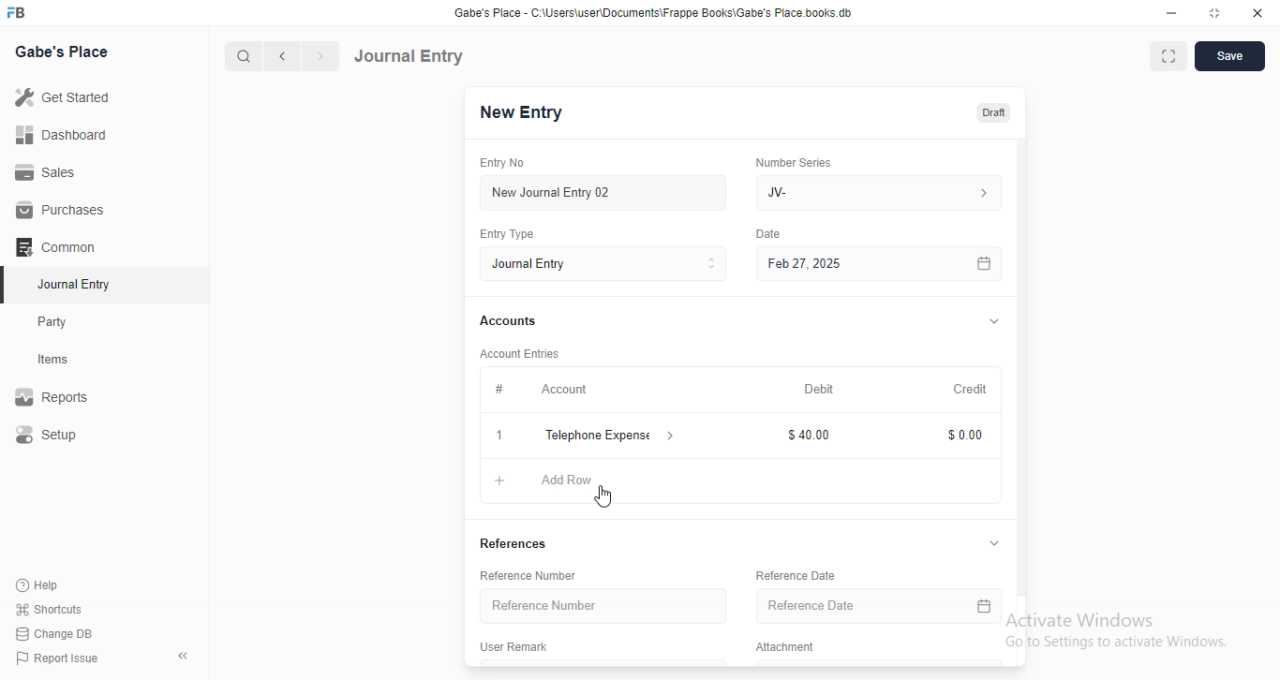 The width and height of the screenshot is (1280, 680). Describe the element at coordinates (659, 11) in the screenshot. I see `‘Gabe's Place - C Wsers\userDocuments\Frappe Books\Gabe's Place books db` at that location.